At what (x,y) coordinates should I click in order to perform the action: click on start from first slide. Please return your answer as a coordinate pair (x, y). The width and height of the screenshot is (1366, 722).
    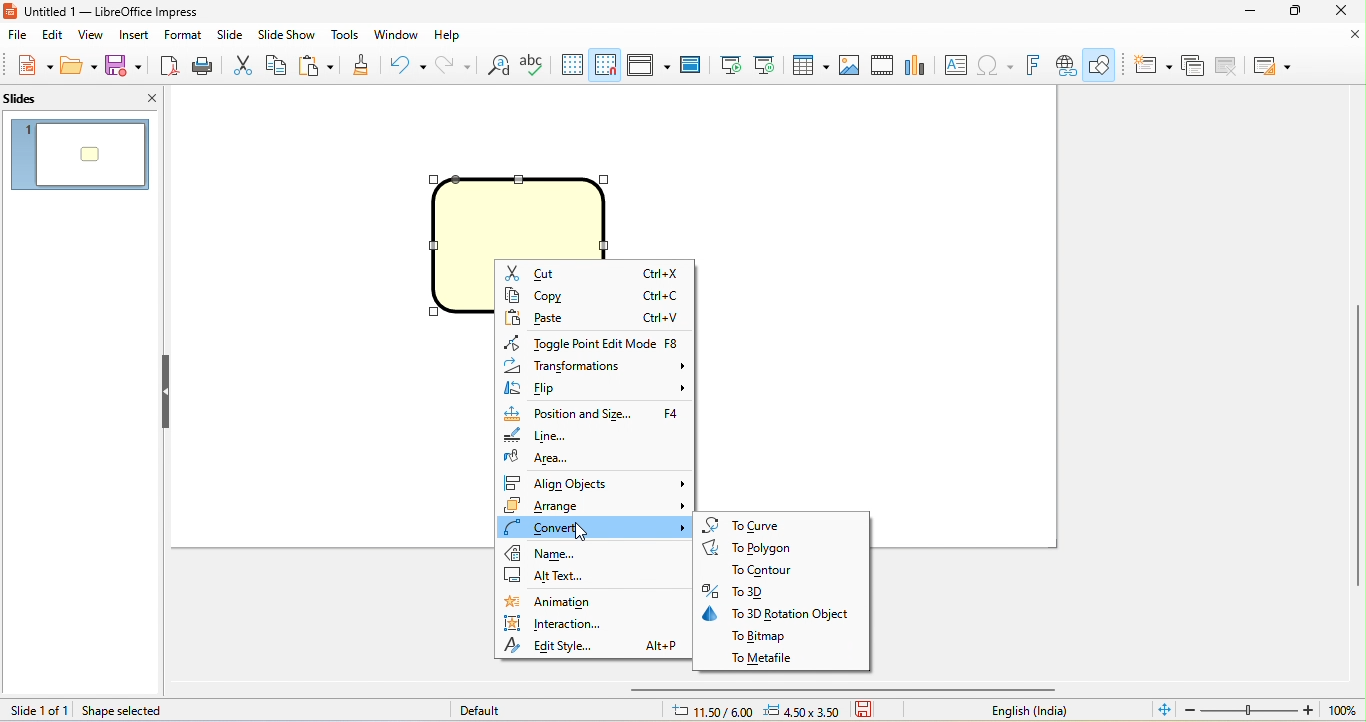
    Looking at the image, I should click on (729, 64).